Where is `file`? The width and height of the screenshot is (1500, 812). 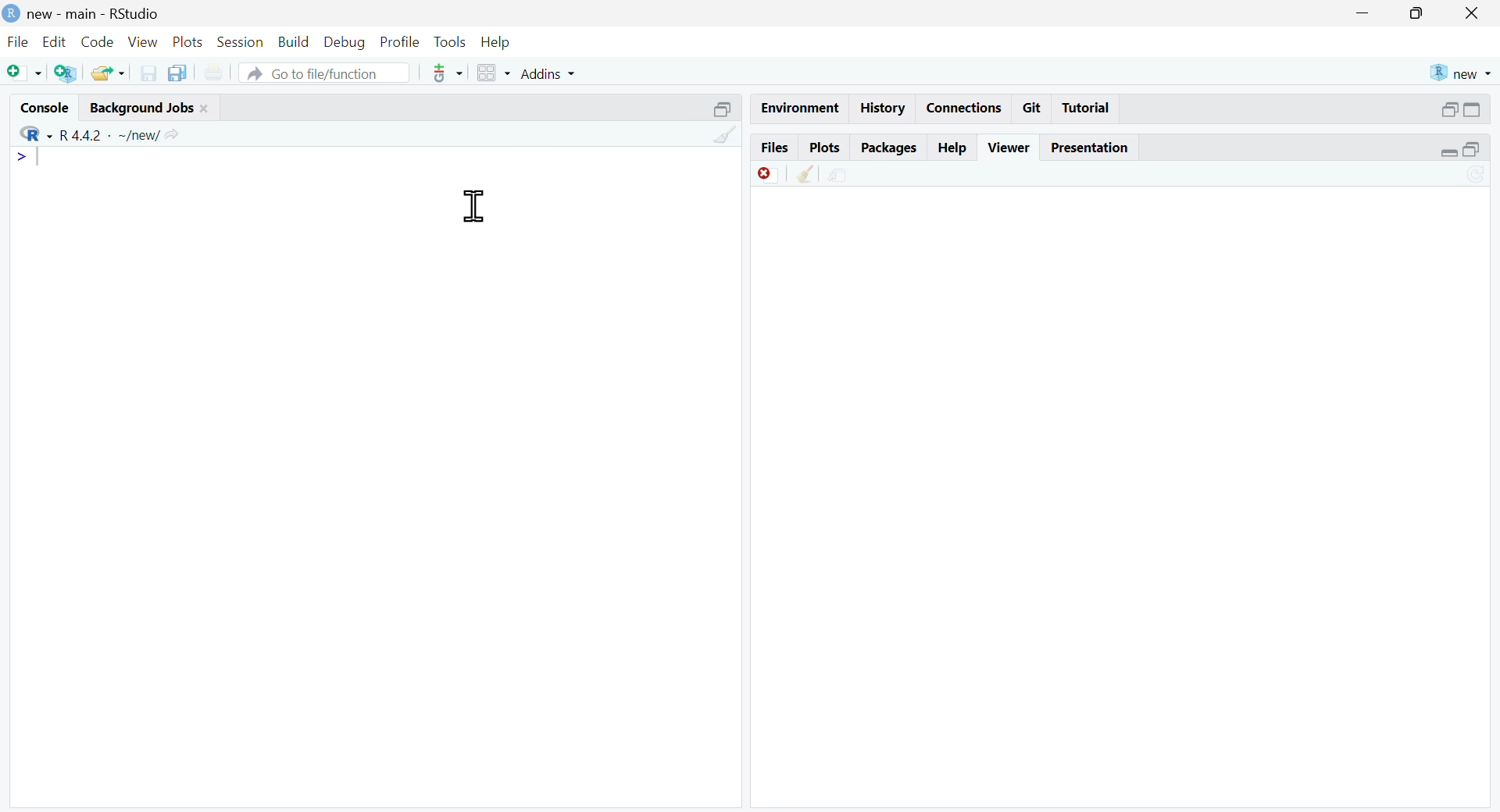
file is located at coordinates (18, 41).